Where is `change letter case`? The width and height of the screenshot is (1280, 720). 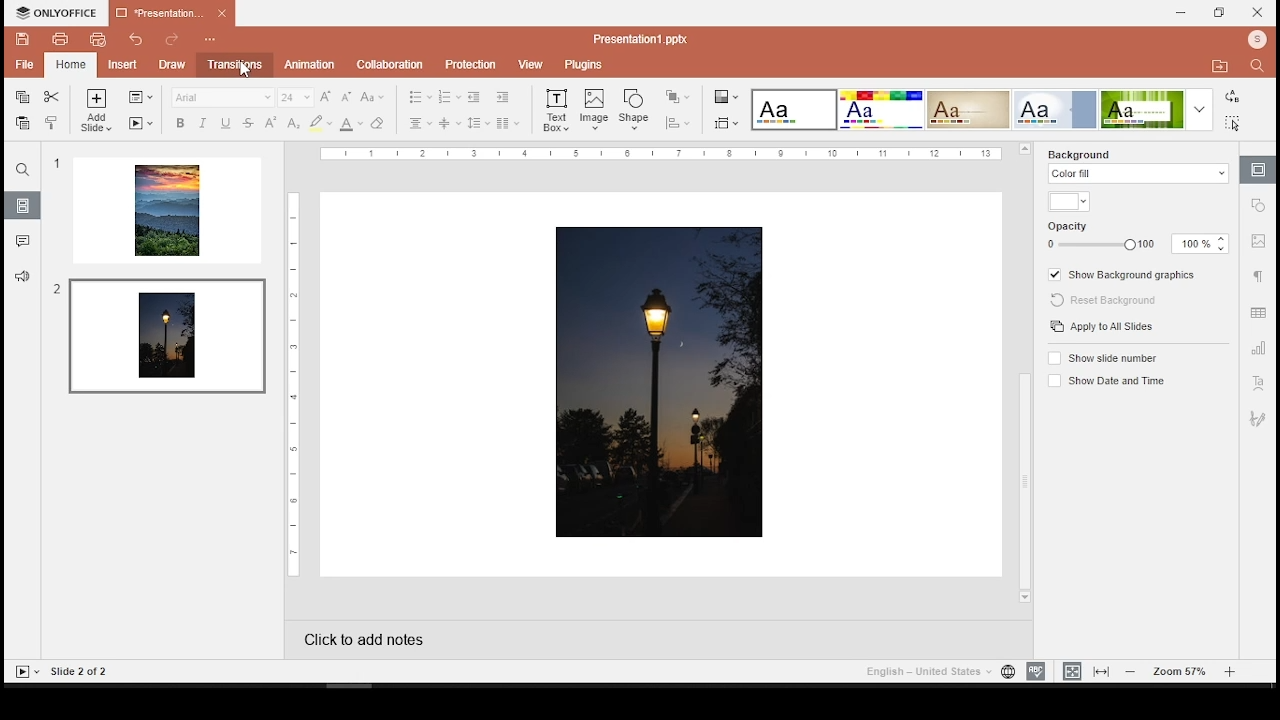
change letter case is located at coordinates (371, 97).